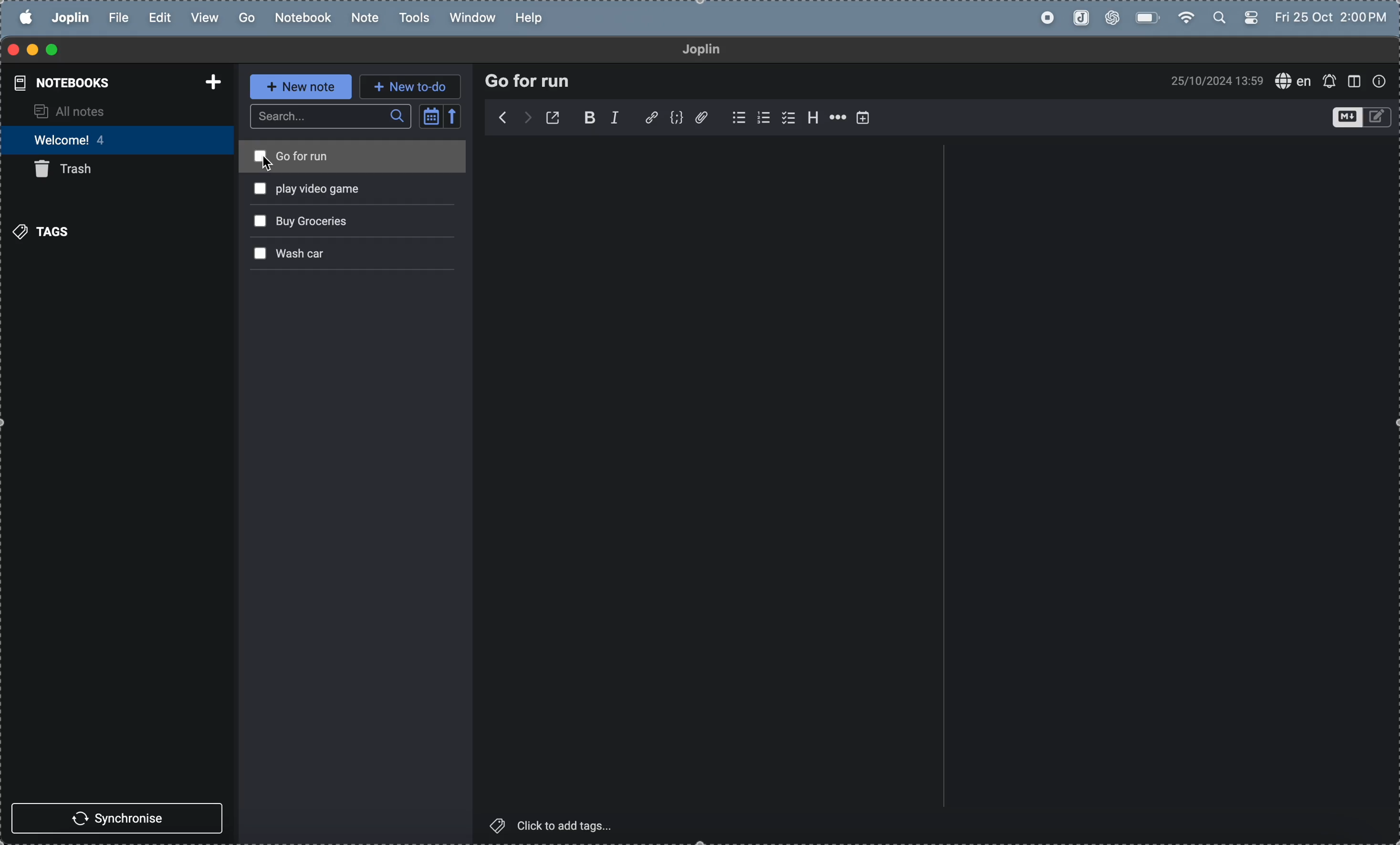 Image resolution: width=1400 pixels, height=845 pixels. Describe the element at coordinates (1335, 15) in the screenshot. I see `time and date` at that location.